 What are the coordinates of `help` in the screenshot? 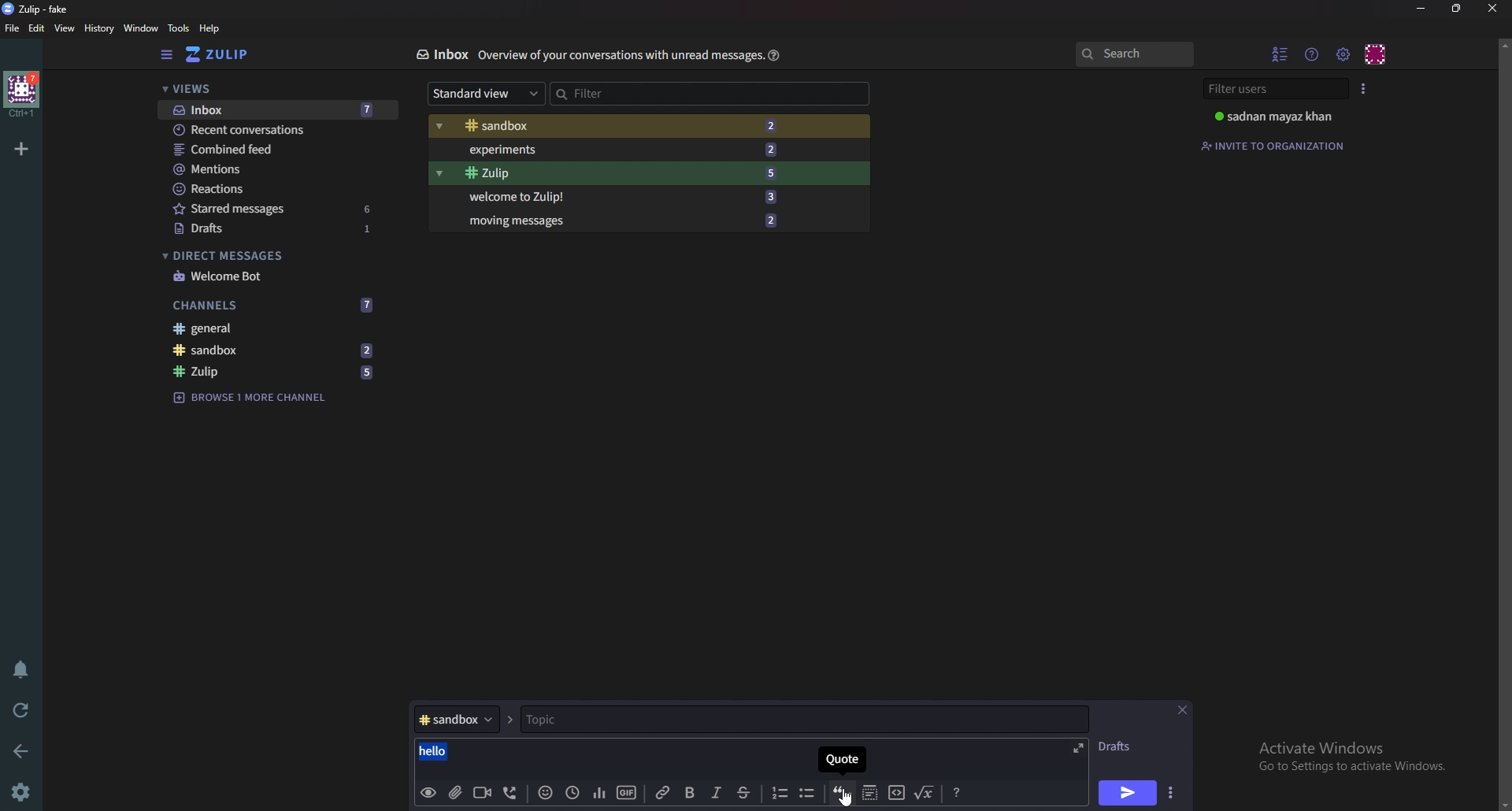 It's located at (210, 28).